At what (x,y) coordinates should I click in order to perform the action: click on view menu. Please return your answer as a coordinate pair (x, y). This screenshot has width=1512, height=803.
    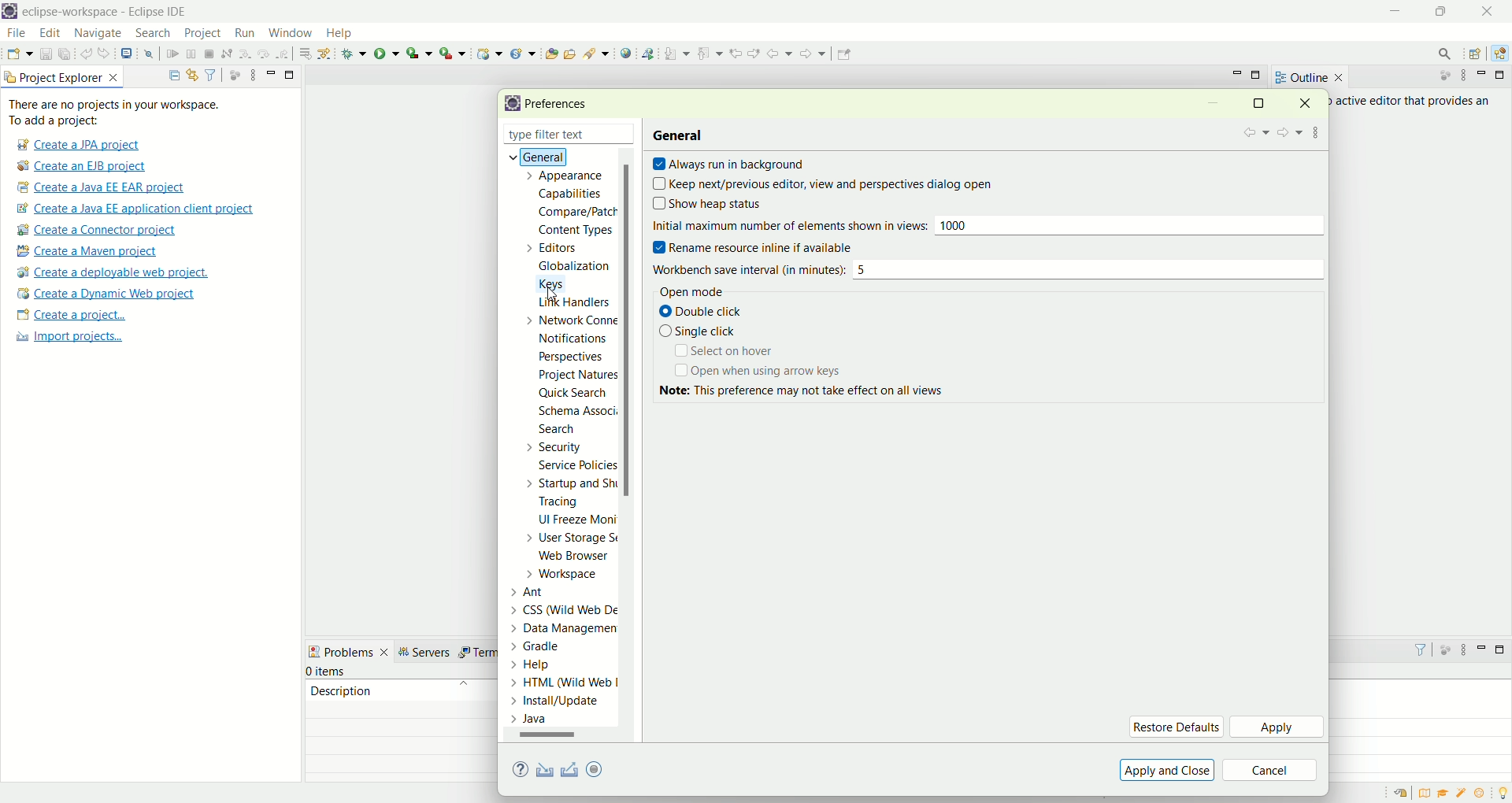
    Looking at the image, I should click on (251, 74).